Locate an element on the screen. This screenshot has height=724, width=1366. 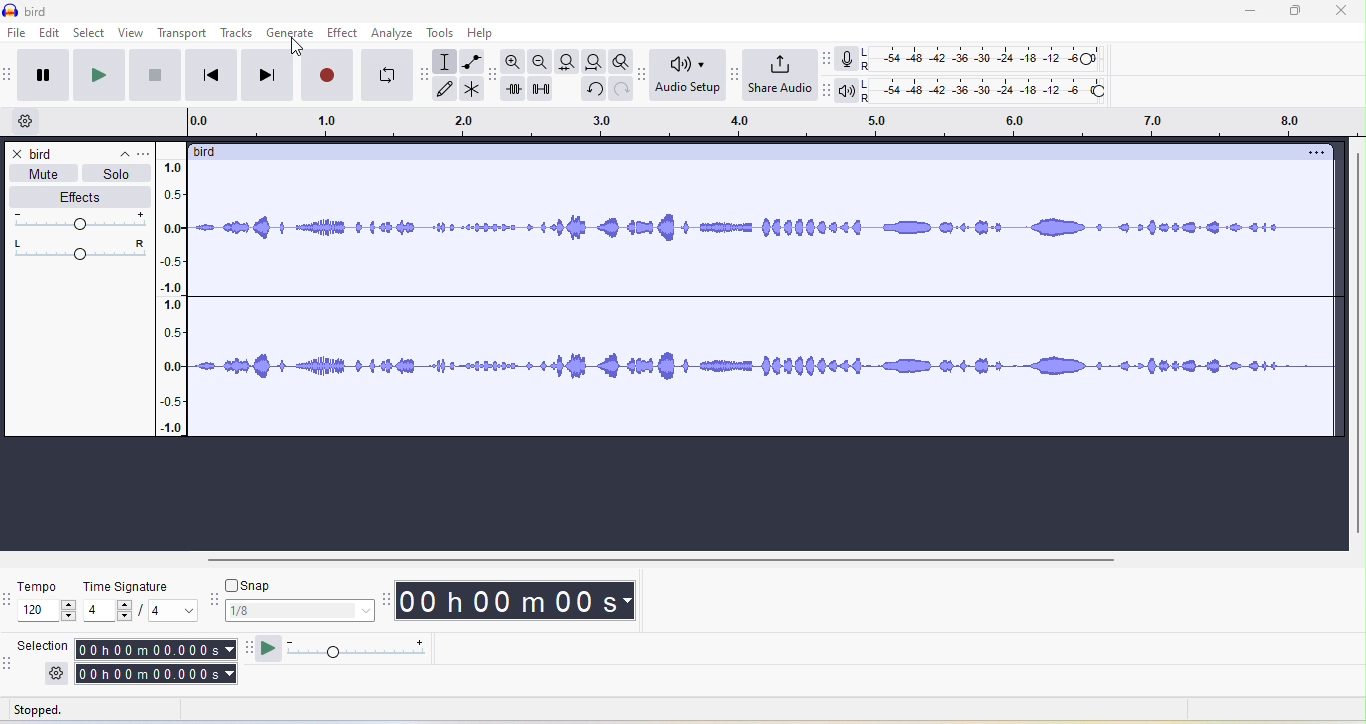
effect is located at coordinates (346, 35).